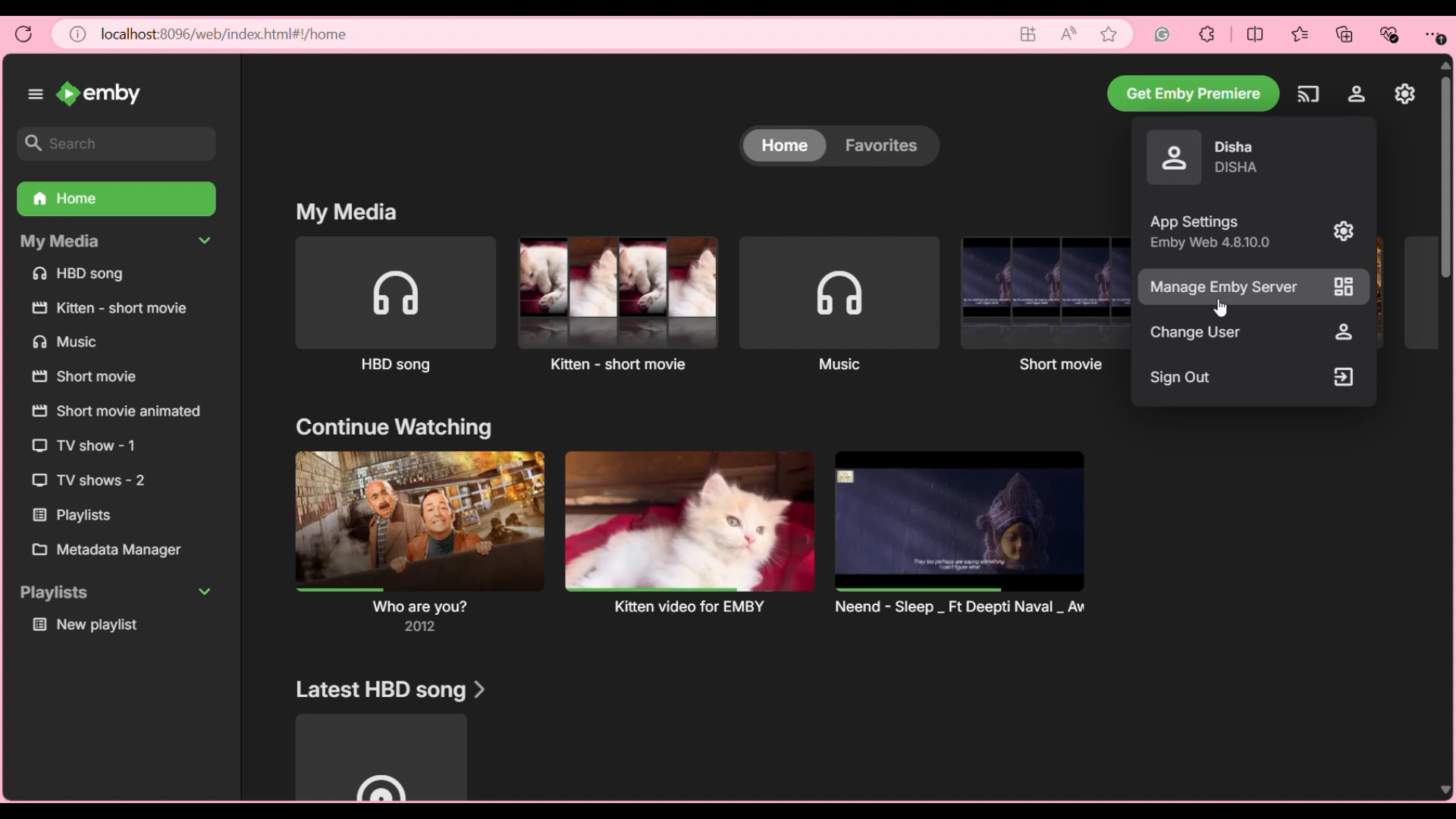  Describe the element at coordinates (61, 243) in the screenshot. I see `my media` at that location.